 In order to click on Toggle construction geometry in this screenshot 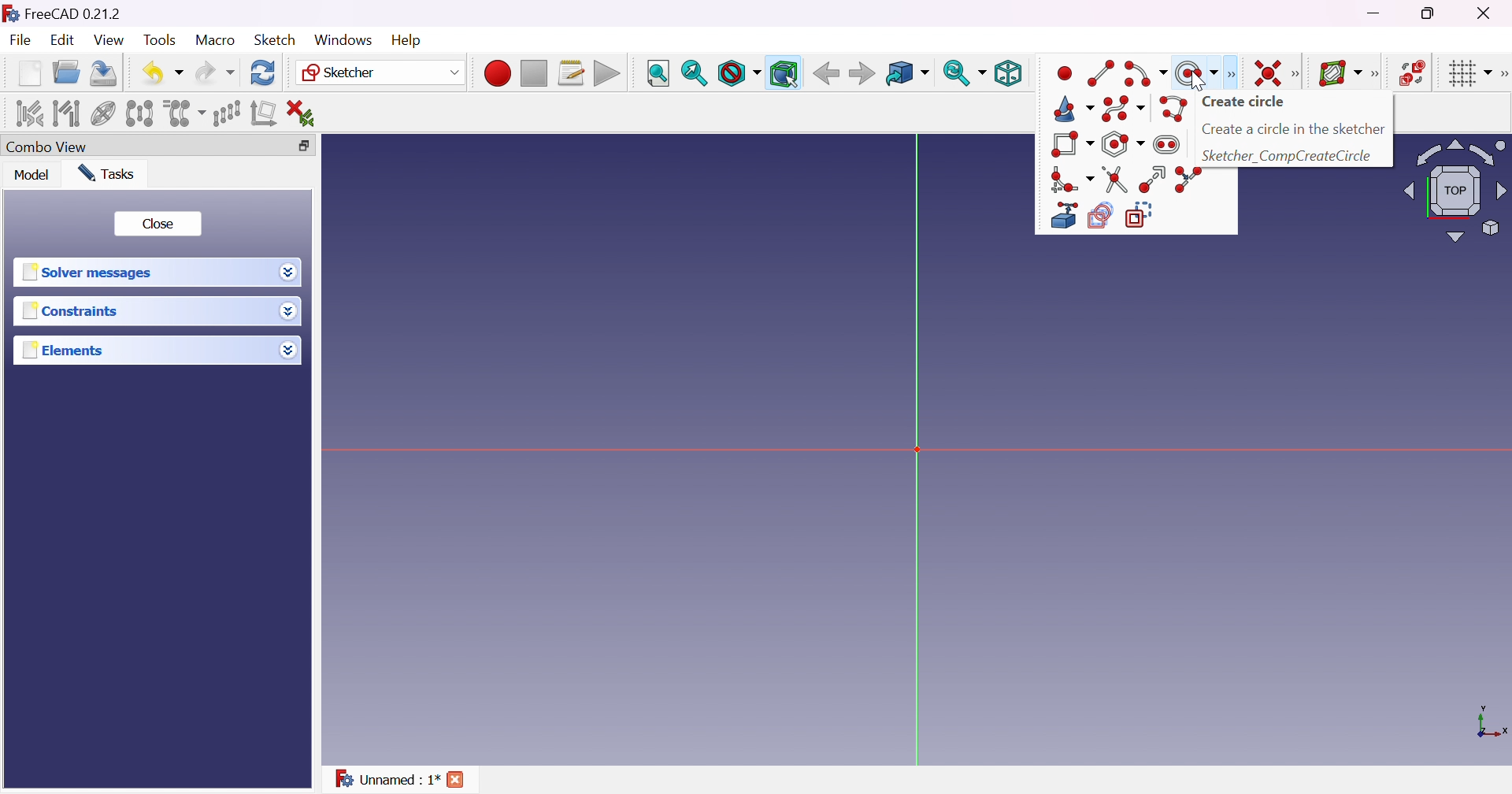, I will do `click(1143, 215)`.